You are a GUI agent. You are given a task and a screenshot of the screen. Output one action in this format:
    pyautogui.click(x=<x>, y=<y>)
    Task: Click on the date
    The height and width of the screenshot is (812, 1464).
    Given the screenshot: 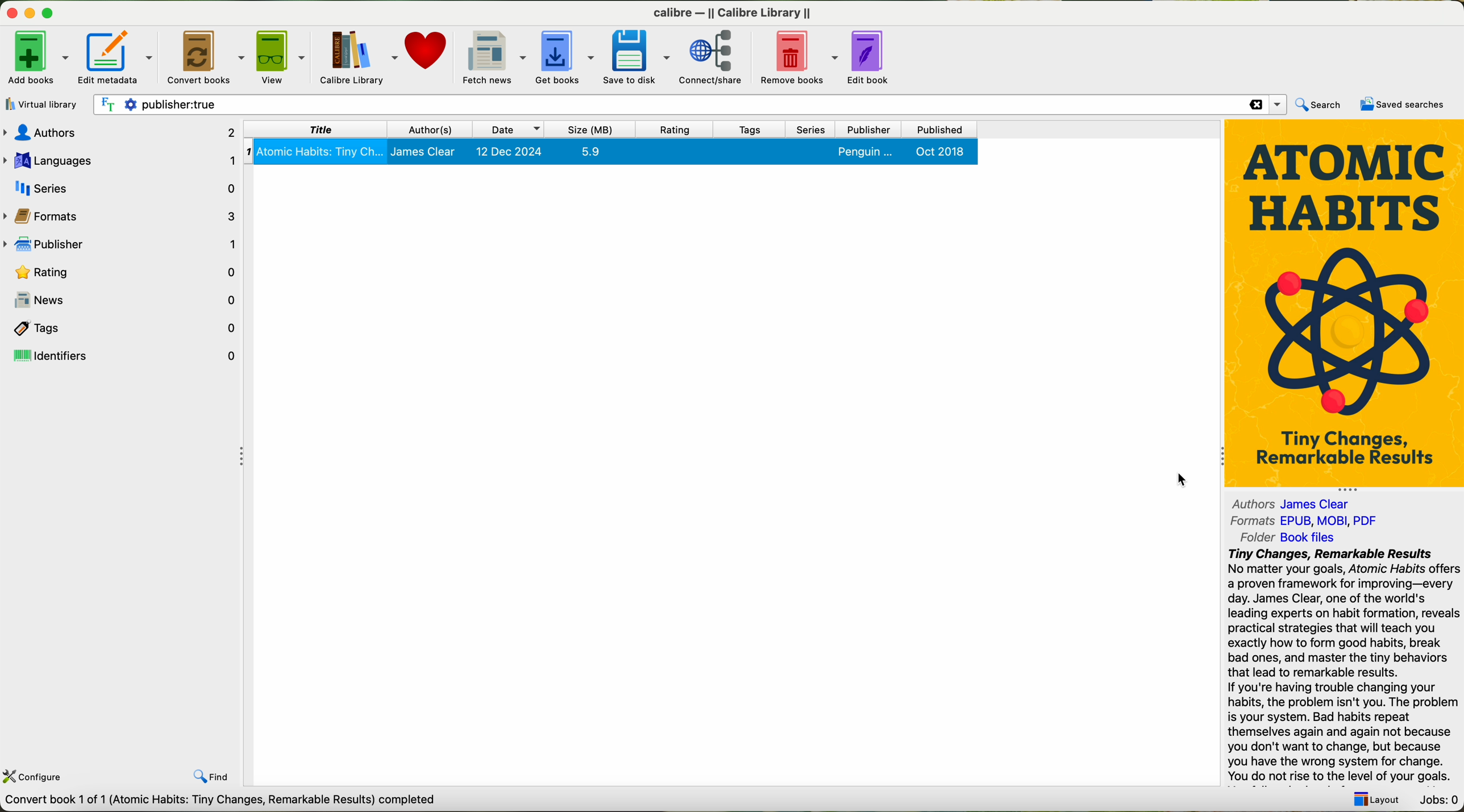 What is the action you would take?
    pyautogui.click(x=509, y=130)
    